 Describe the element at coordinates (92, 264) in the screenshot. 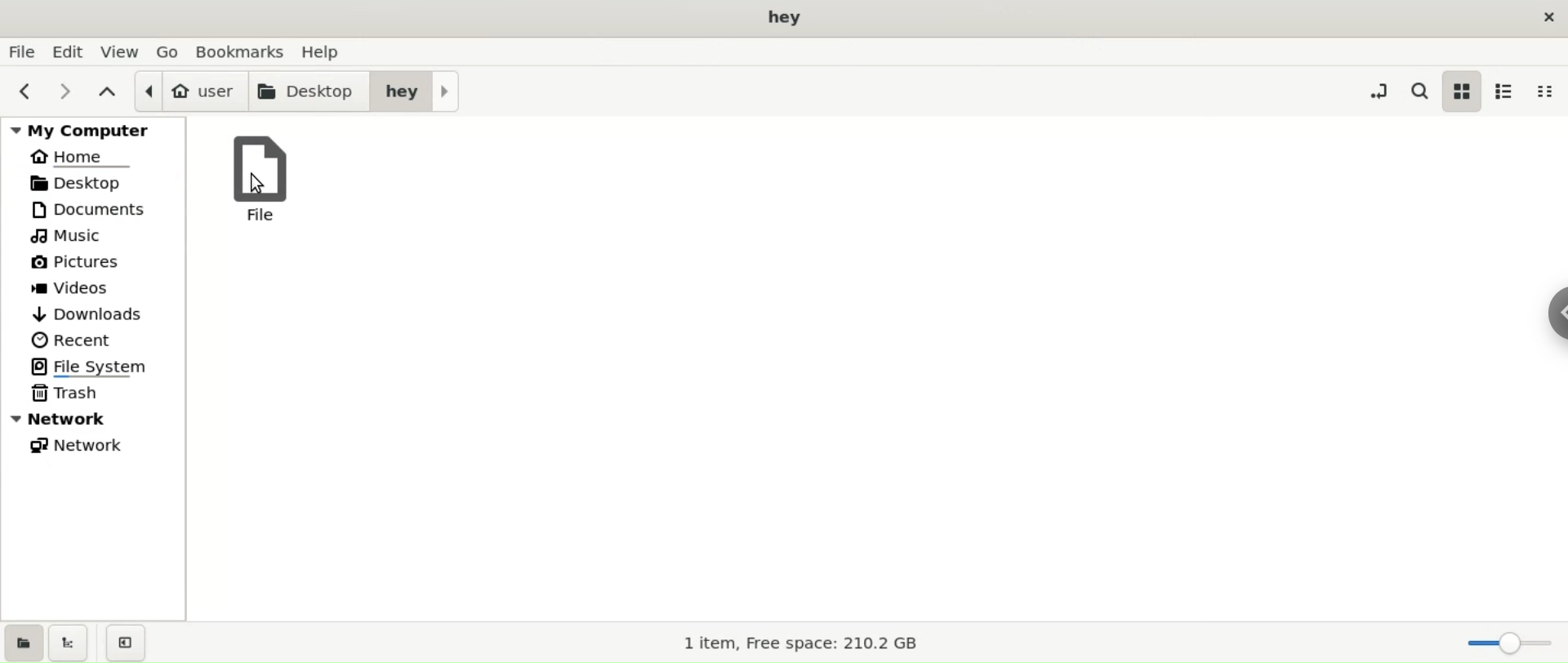

I see `pictures` at that location.